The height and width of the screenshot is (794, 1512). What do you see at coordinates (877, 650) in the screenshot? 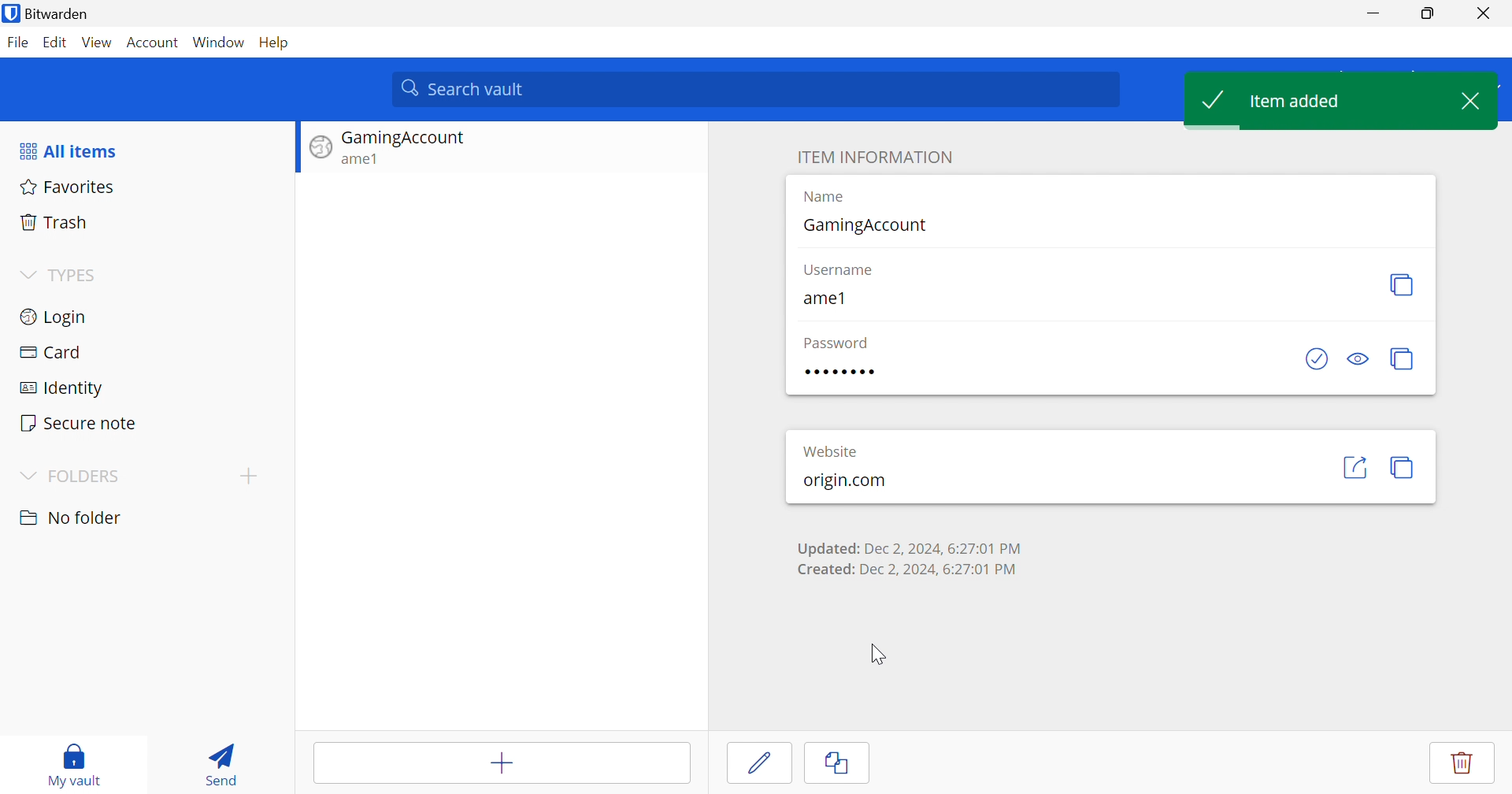
I see `Cursor` at bounding box center [877, 650].